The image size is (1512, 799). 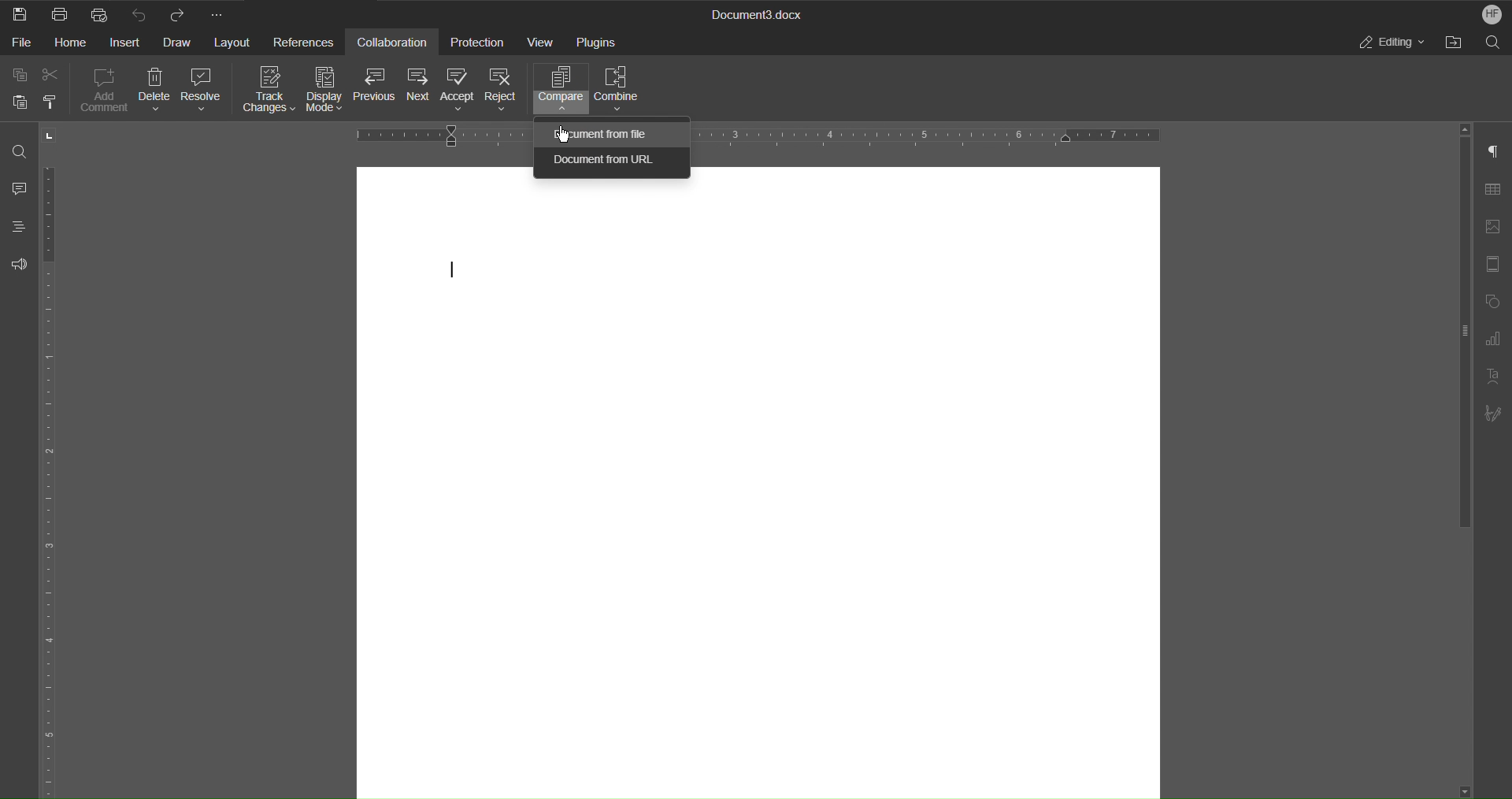 I want to click on Shape Settings, so click(x=1495, y=301).